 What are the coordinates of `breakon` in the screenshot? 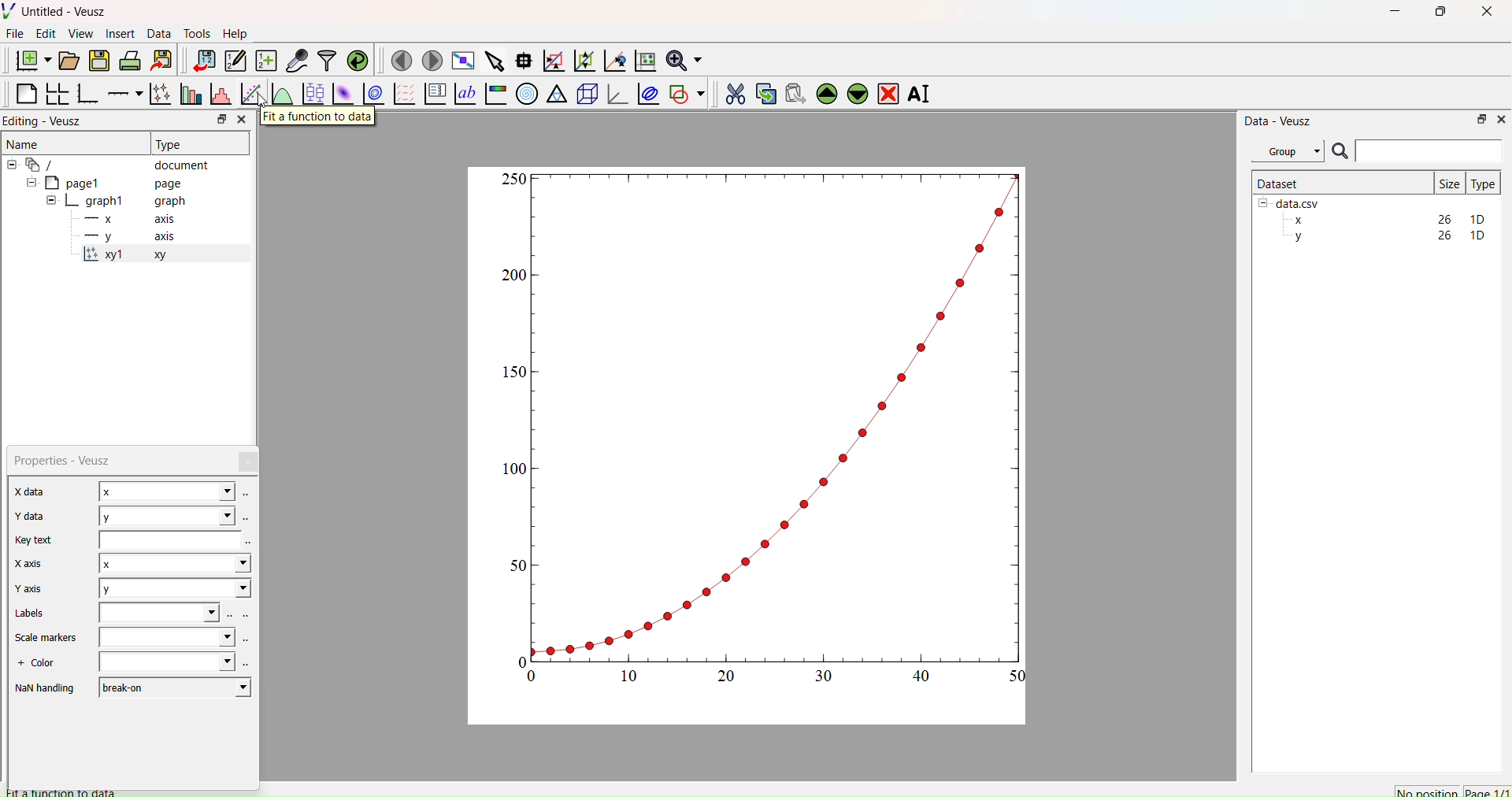 It's located at (174, 688).